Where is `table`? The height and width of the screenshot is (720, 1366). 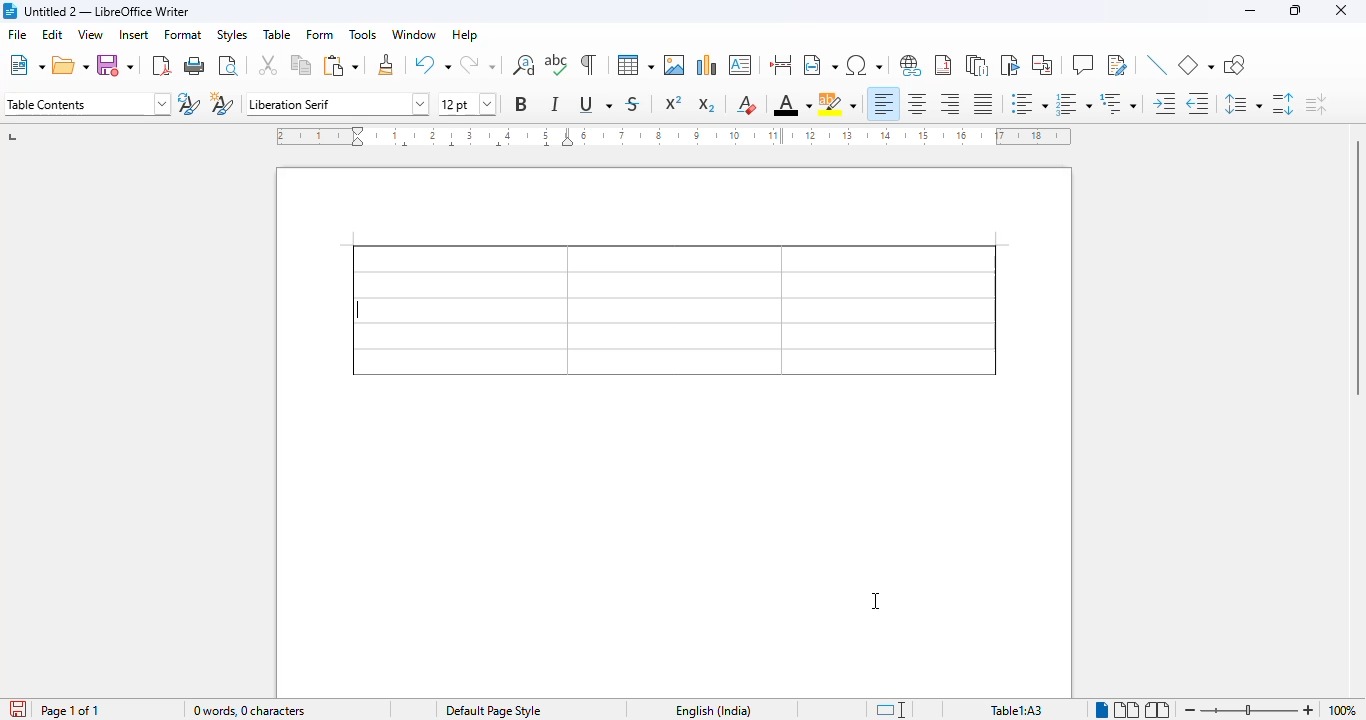 table is located at coordinates (277, 34).